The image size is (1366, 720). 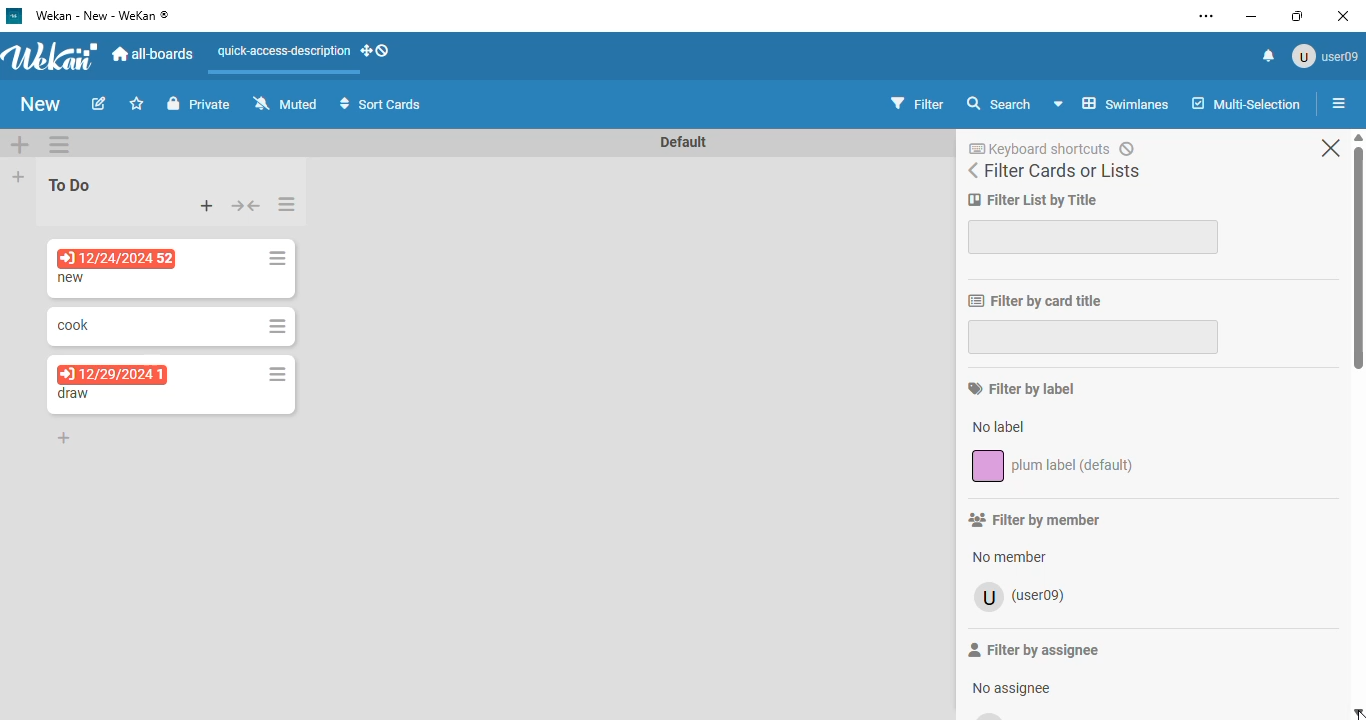 What do you see at coordinates (1095, 236) in the screenshot?
I see `filter list by title input box` at bounding box center [1095, 236].